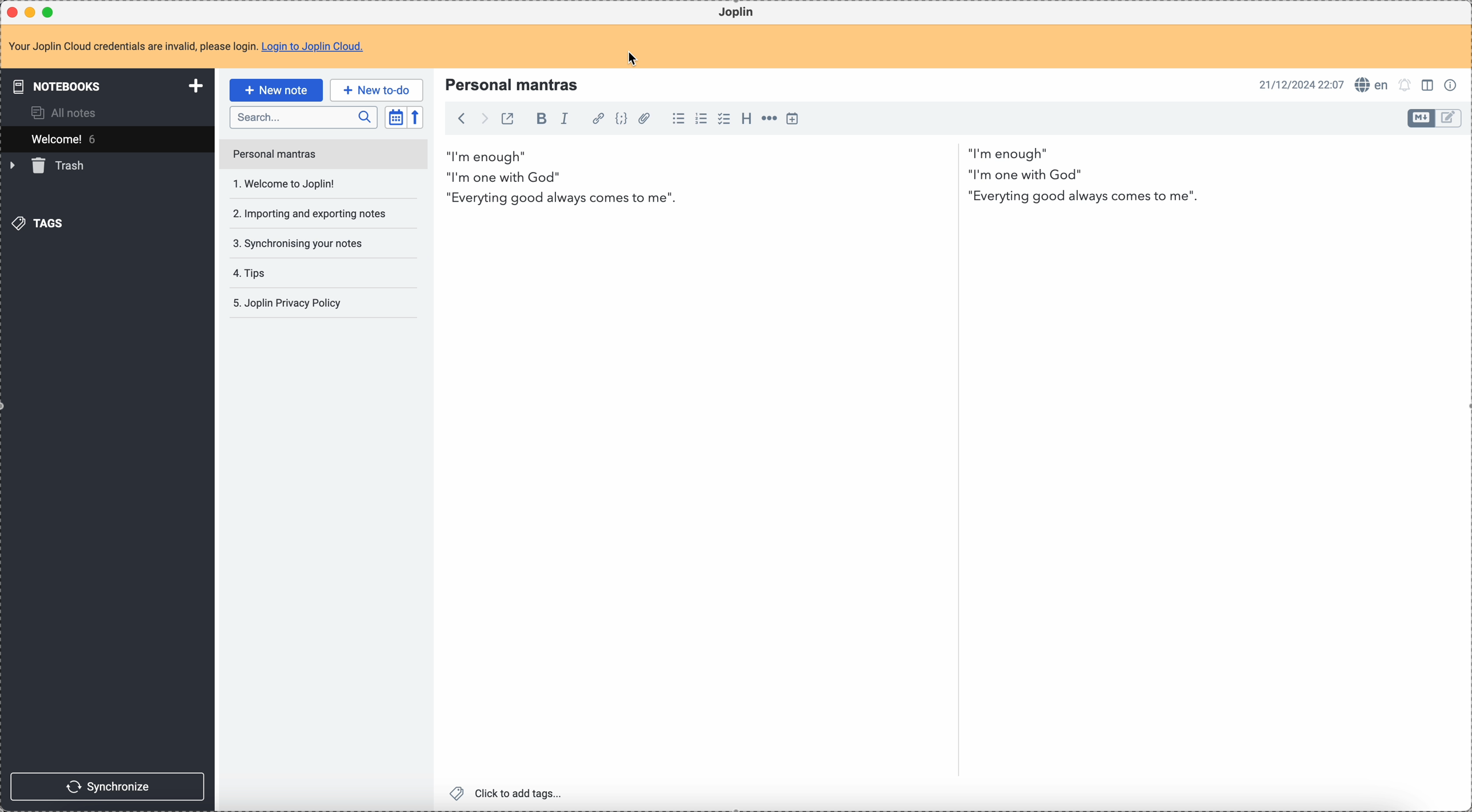 The image size is (1472, 812). Describe the element at coordinates (823, 179) in the screenshot. I see `i am enough"  i'm one with God" Everything good always come to me "` at that location.